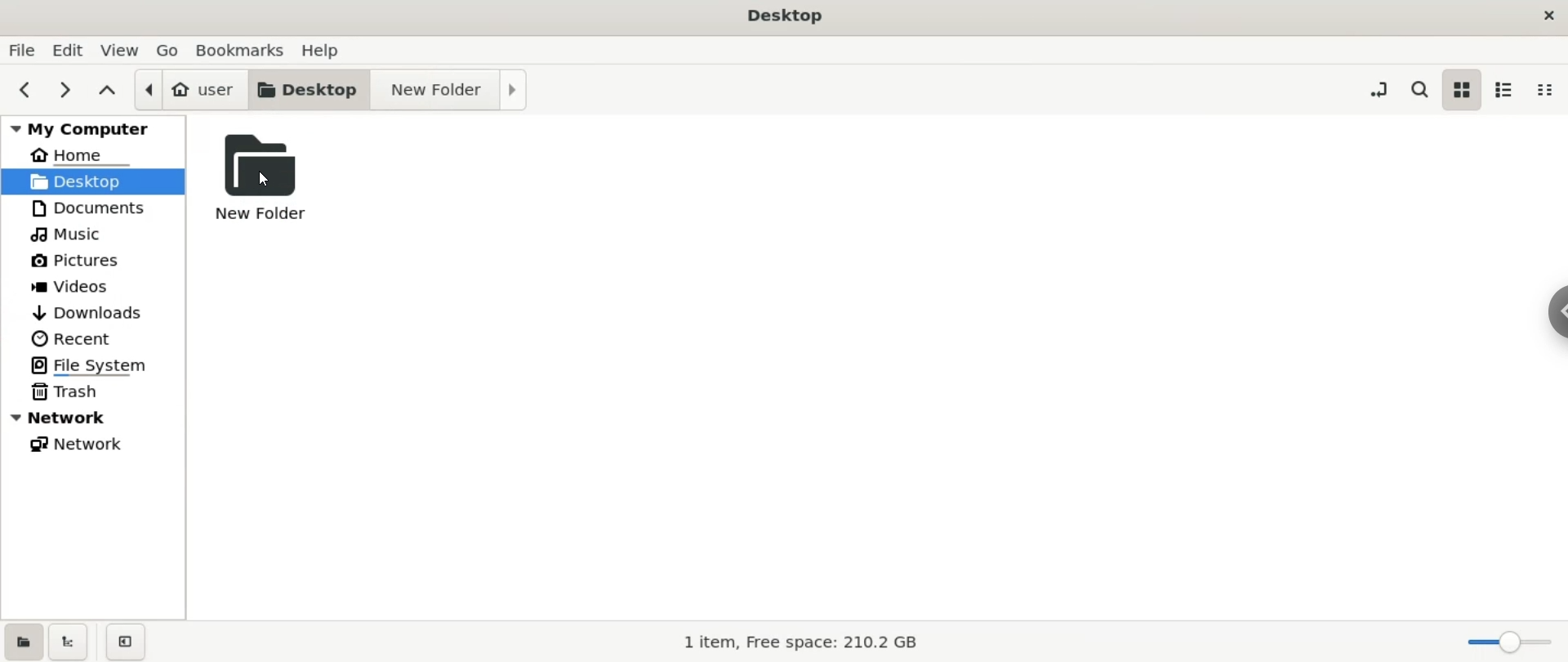 The height and width of the screenshot is (662, 1568). What do you see at coordinates (21, 51) in the screenshot?
I see `file` at bounding box center [21, 51].